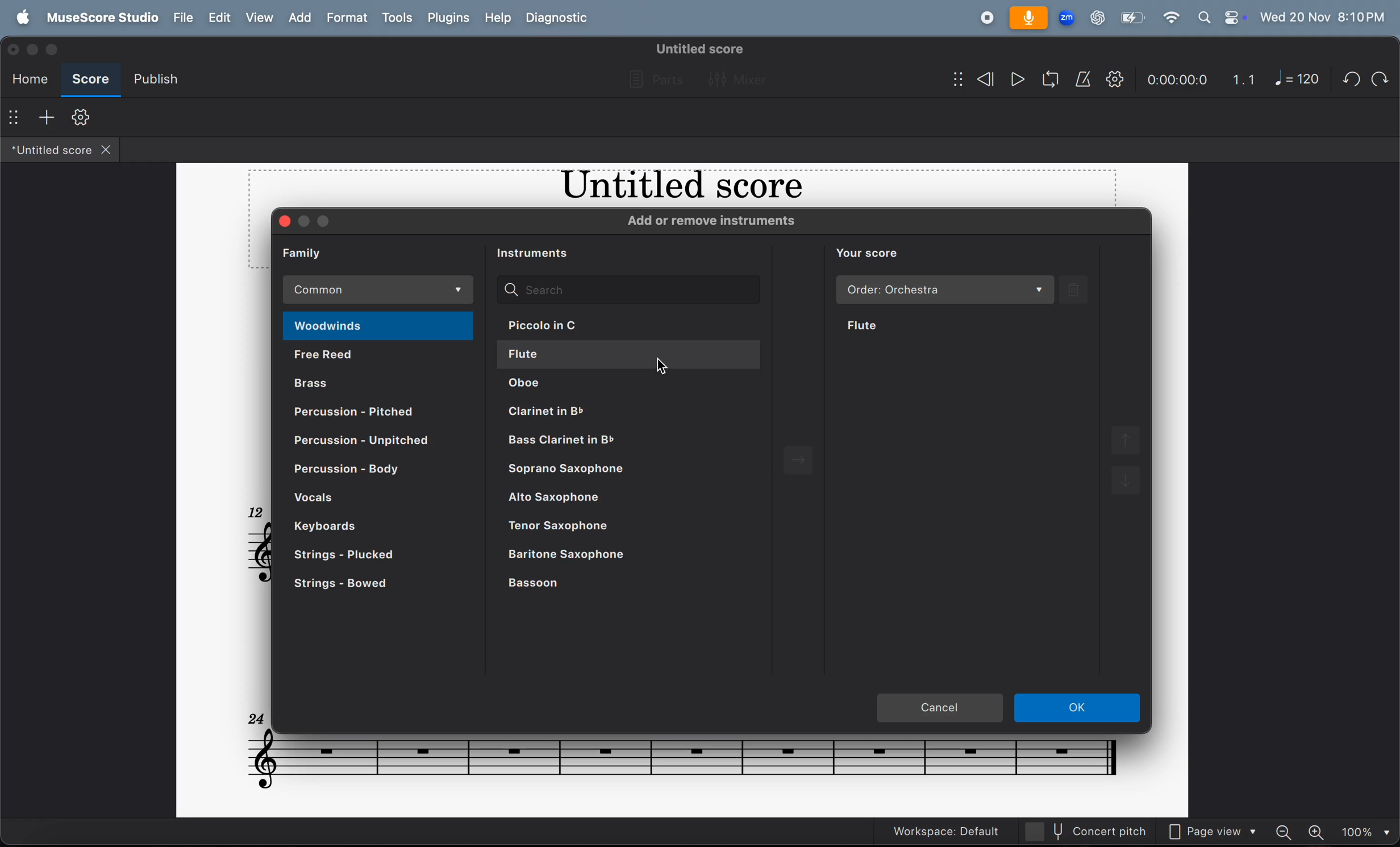  I want to click on maximize, so click(56, 49).